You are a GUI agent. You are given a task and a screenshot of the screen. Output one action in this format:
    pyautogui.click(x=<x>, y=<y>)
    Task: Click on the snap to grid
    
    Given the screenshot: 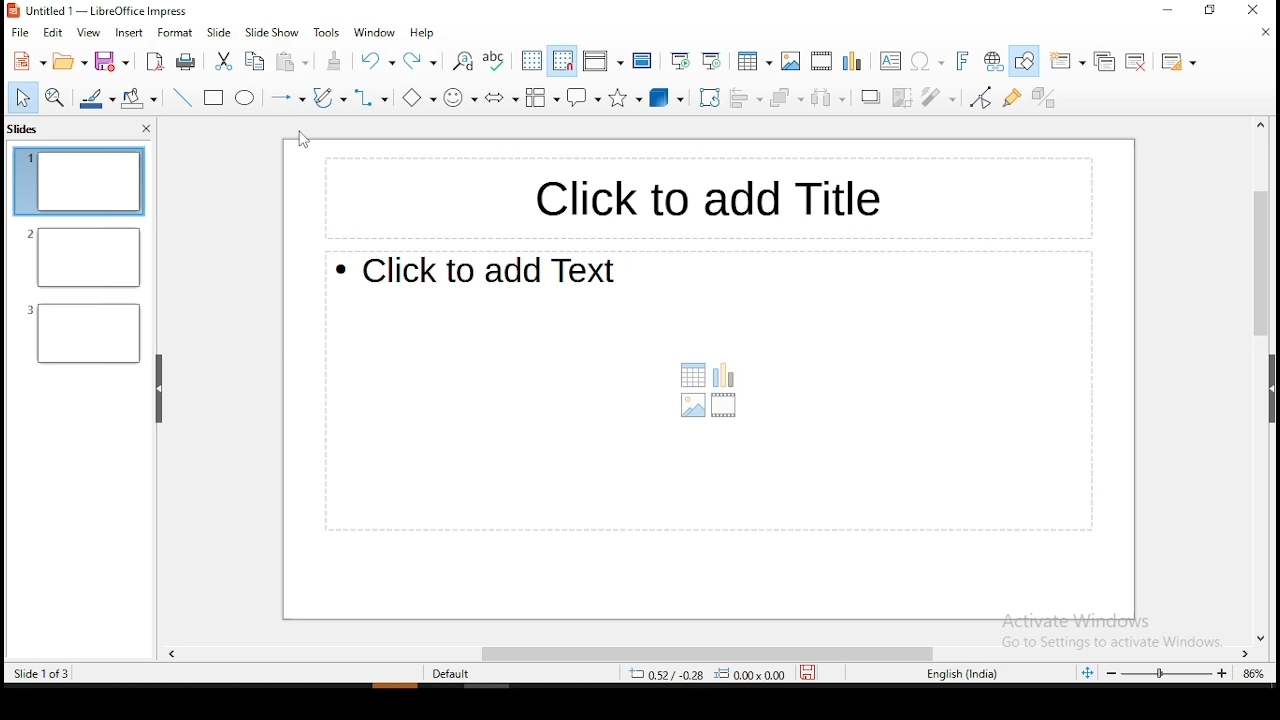 What is the action you would take?
    pyautogui.click(x=564, y=62)
    